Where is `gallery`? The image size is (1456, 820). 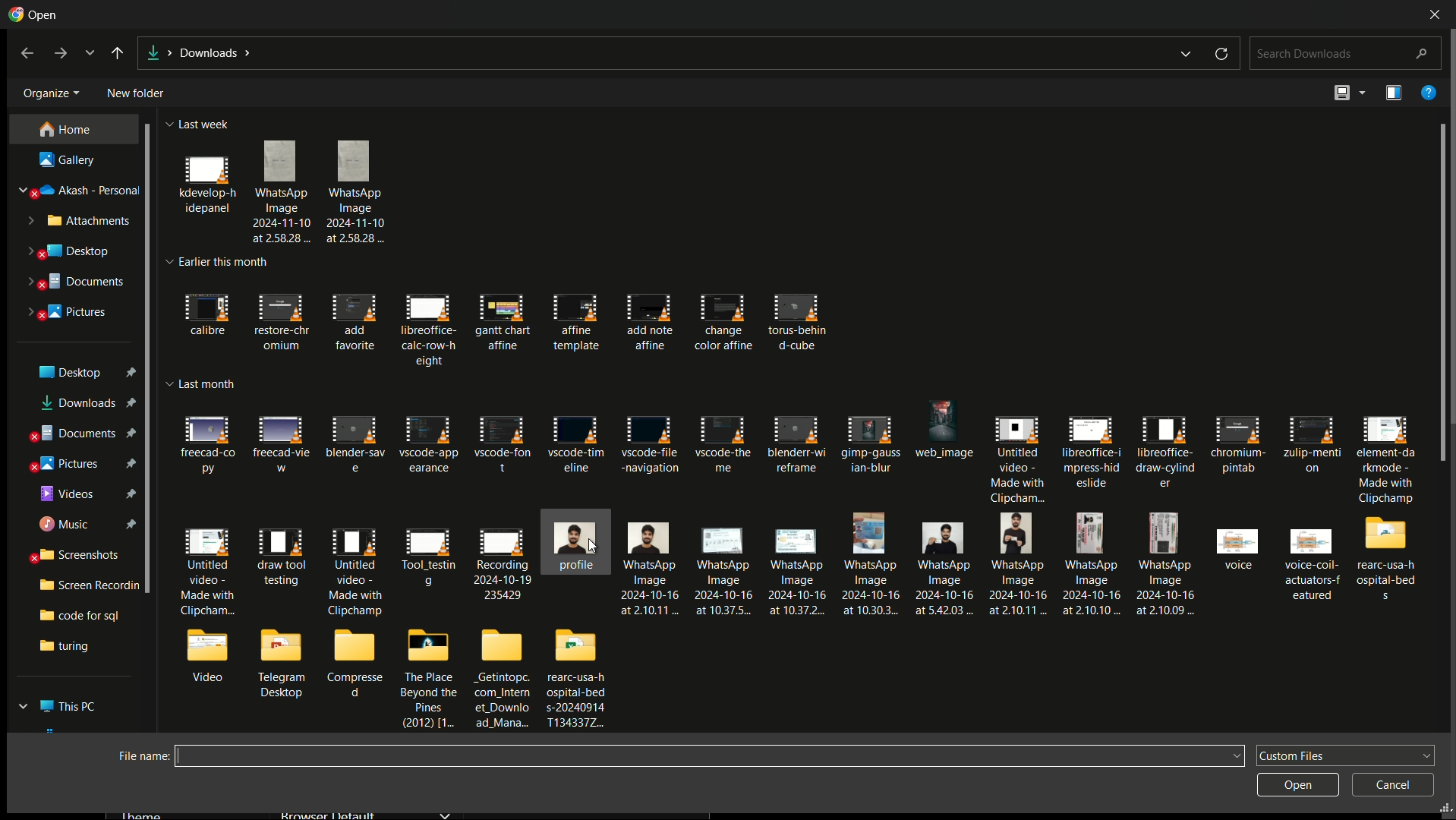
gallery is located at coordinates (66, 159).